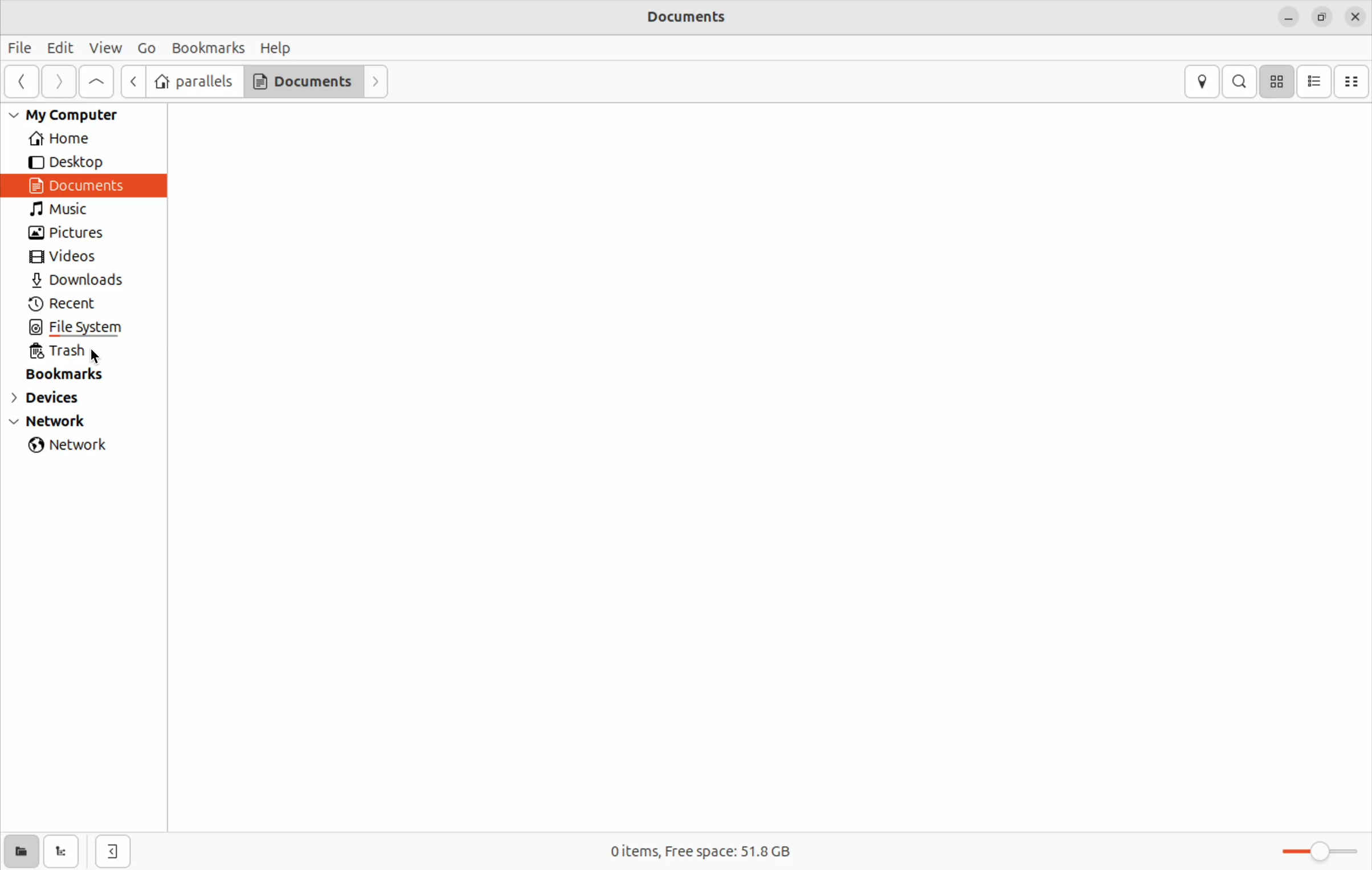 The width and height of the screenshot is (1372, 870). What do you see at coordinates (71, 234) in the screenshot?
I see `pictures` at bounding box center [71, 234].